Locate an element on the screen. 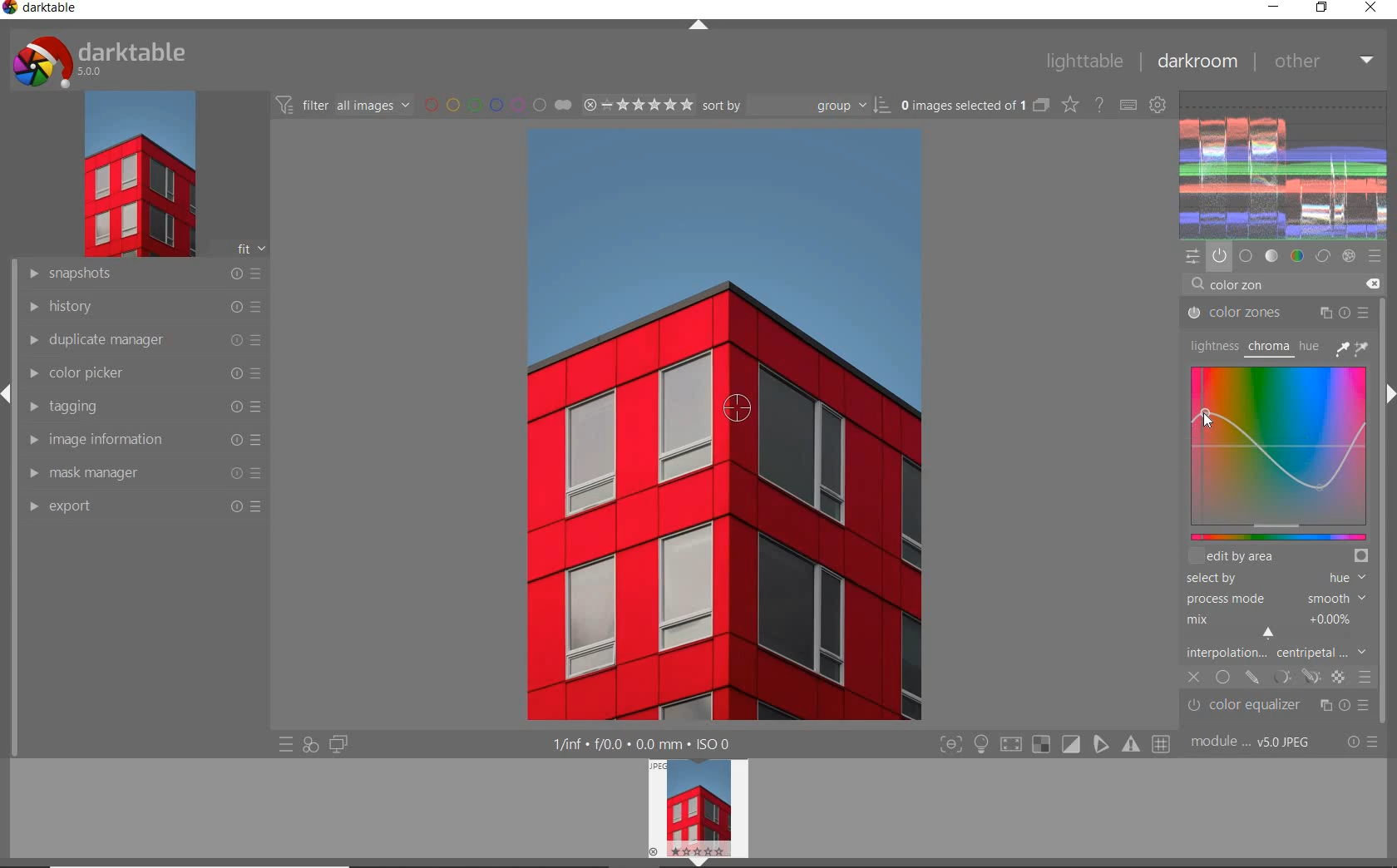 The image size is (1397, 868). MIX is located at coordinates (1274, 623).